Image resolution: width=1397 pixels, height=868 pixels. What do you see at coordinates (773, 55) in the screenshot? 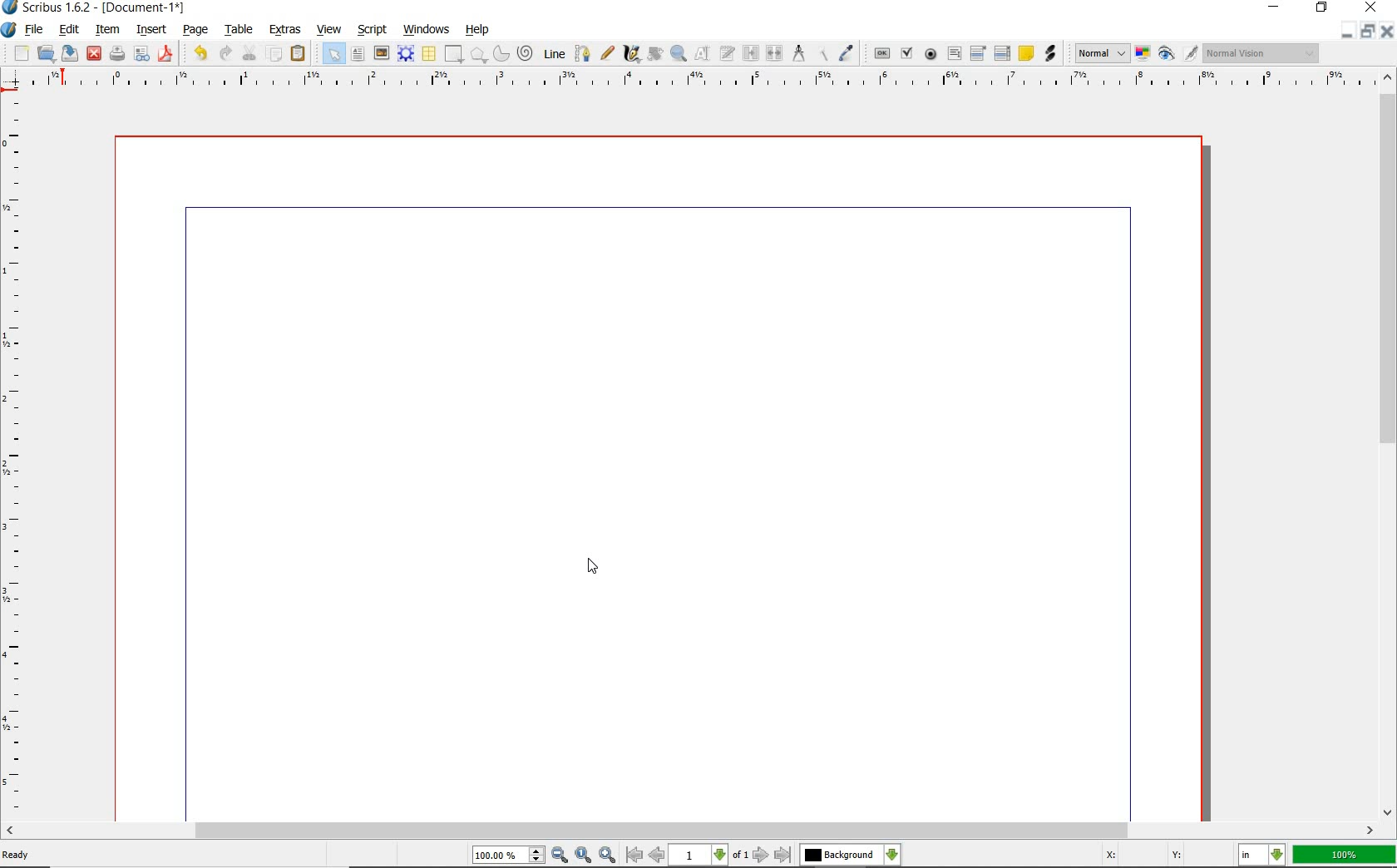
I see `unlink text frames` at bounding box center [773, 55].